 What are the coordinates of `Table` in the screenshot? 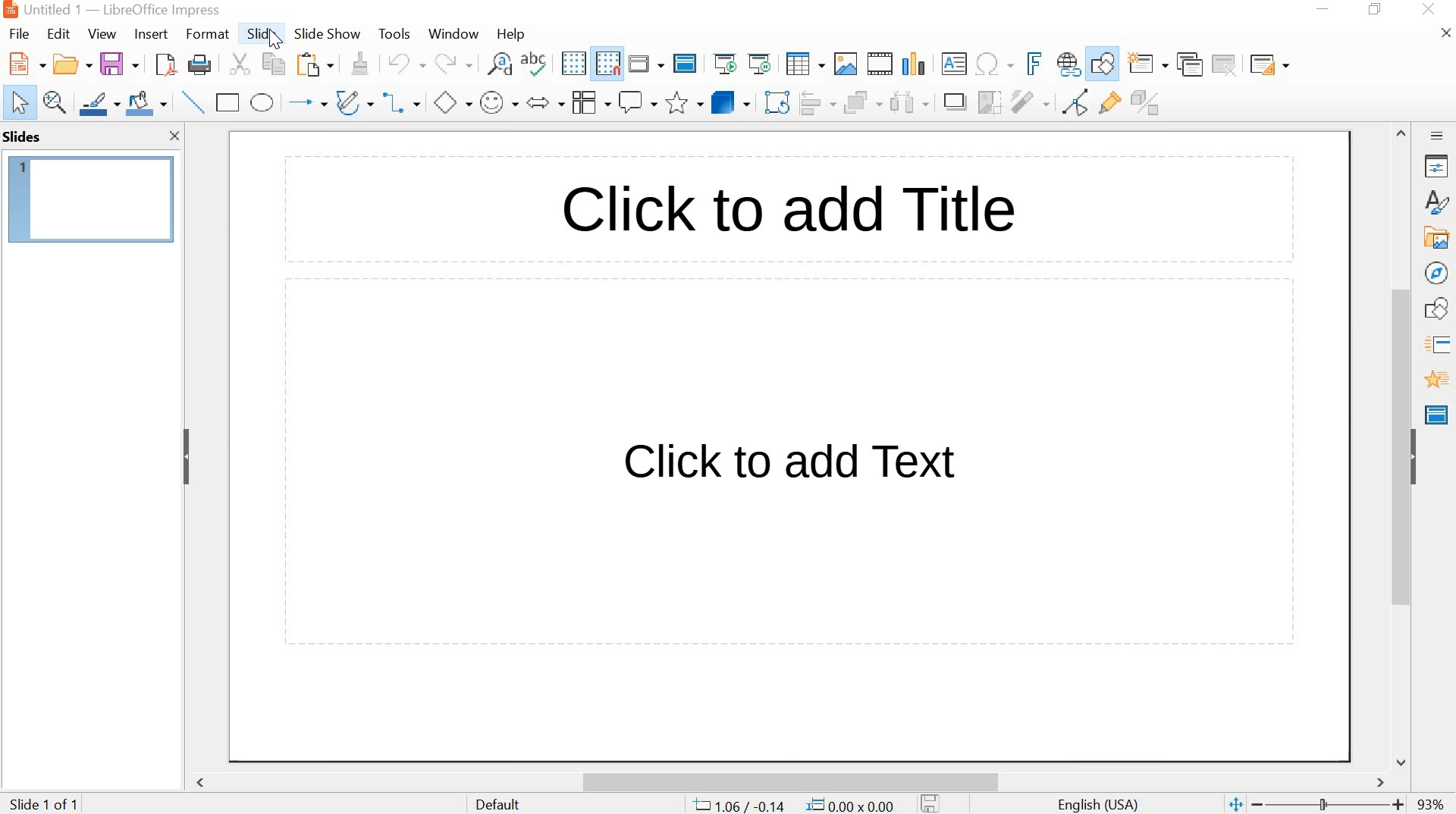 It's located at (805, 64).